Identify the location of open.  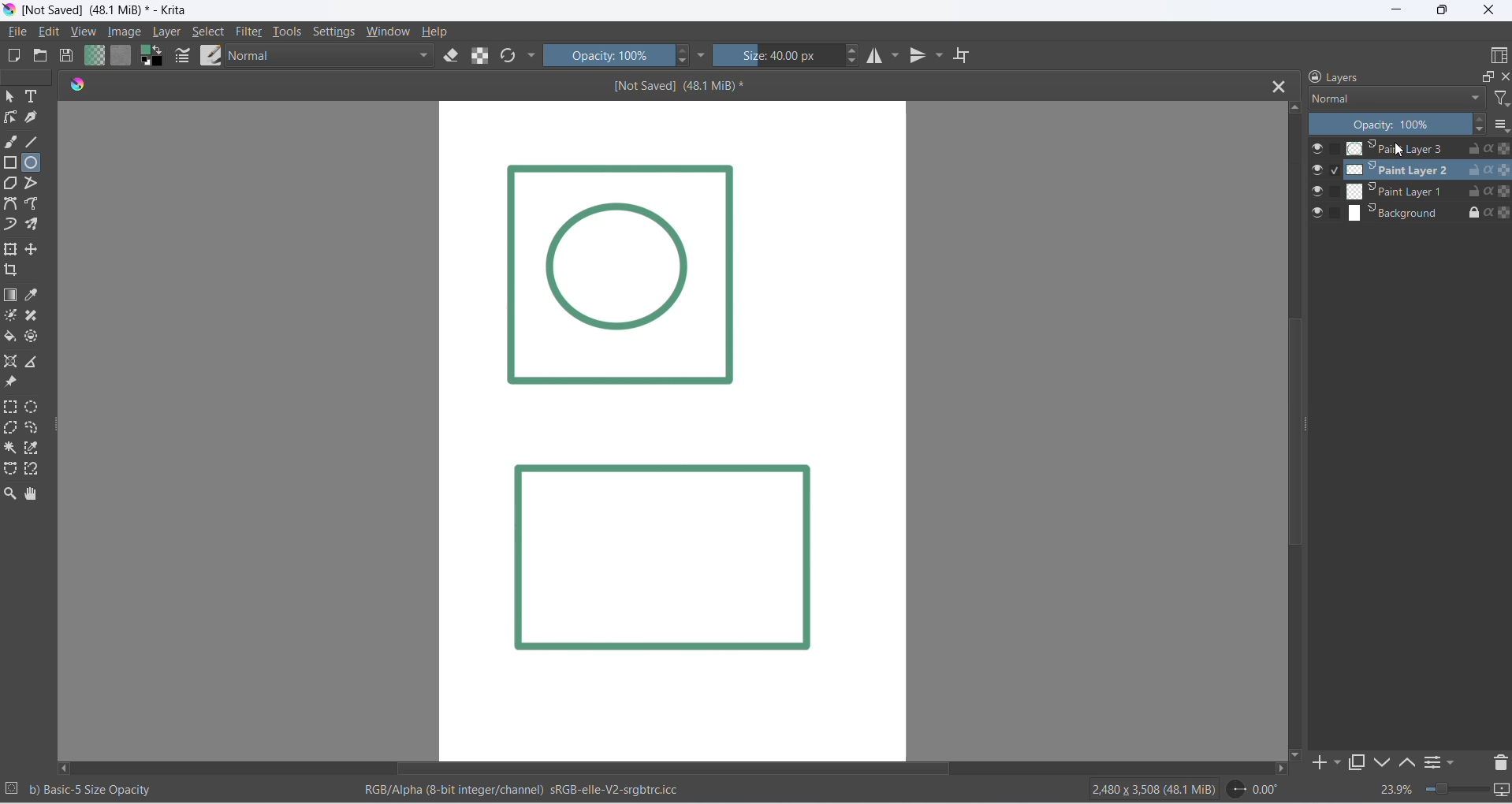
(41, 56).